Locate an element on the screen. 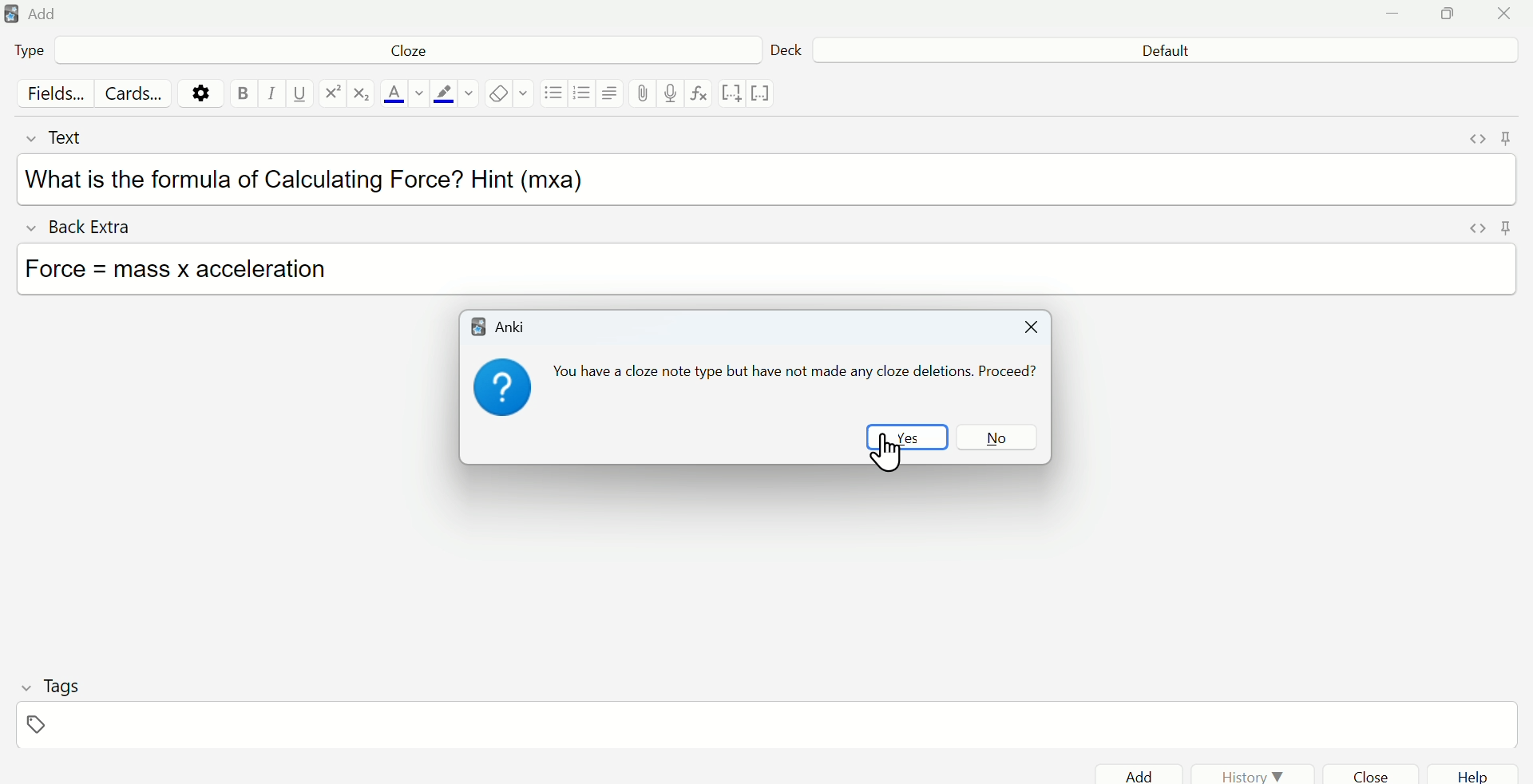  Close is located at coordinates (1503, 16).